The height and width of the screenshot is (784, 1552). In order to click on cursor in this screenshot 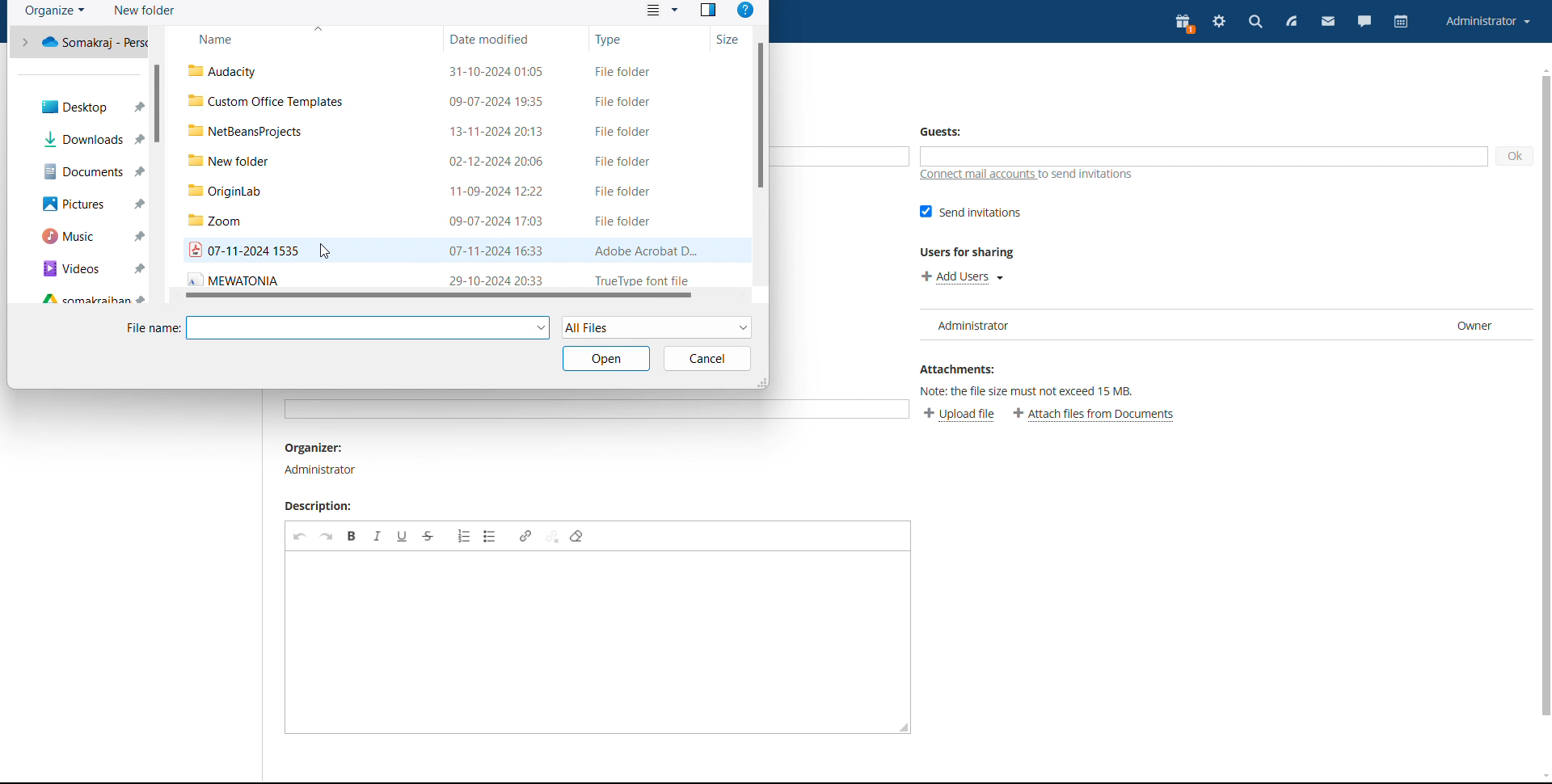, I will do `click(331, 251)`.